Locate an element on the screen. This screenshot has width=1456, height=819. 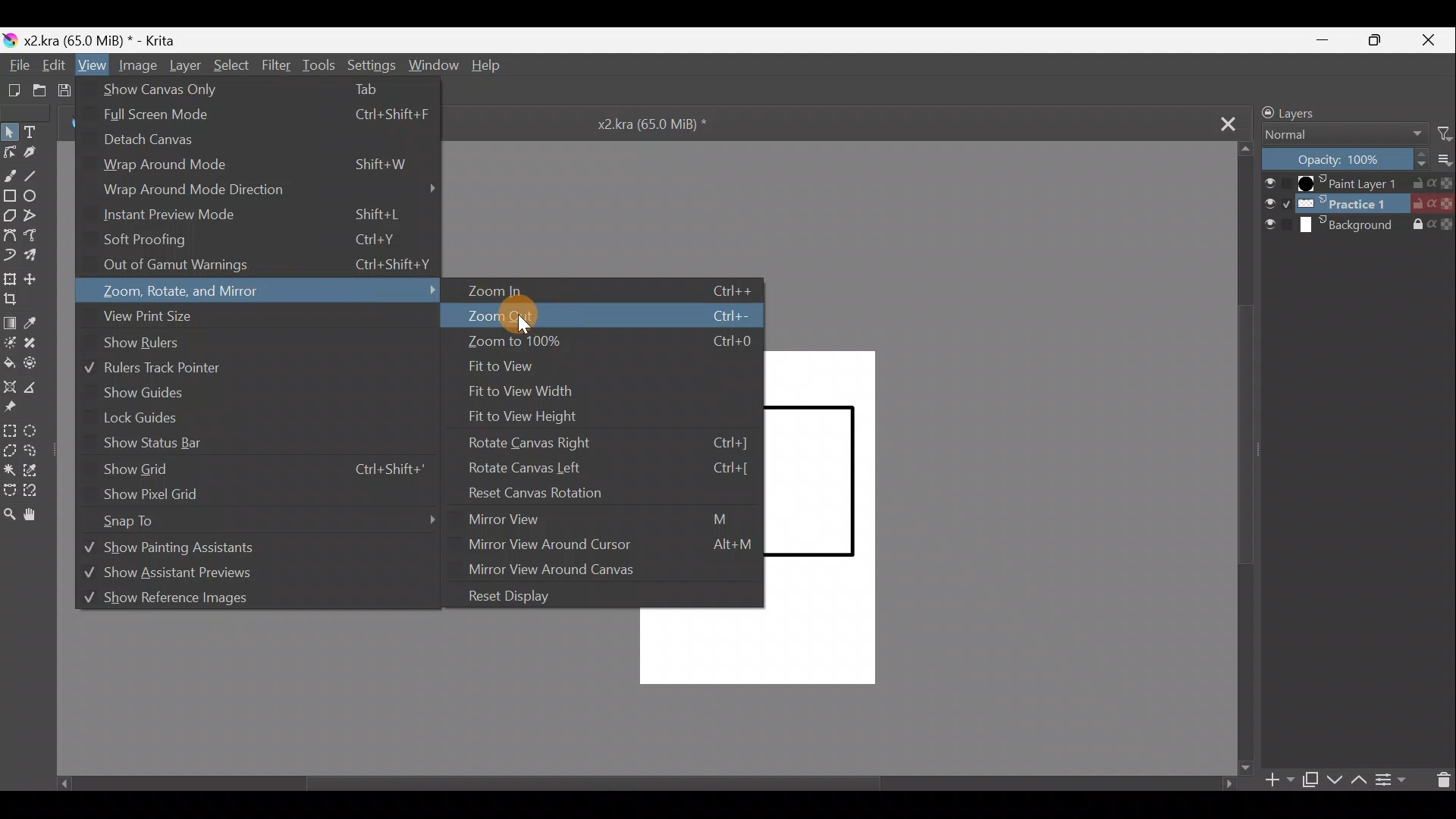
Background is located at coordinates (1359, 225).